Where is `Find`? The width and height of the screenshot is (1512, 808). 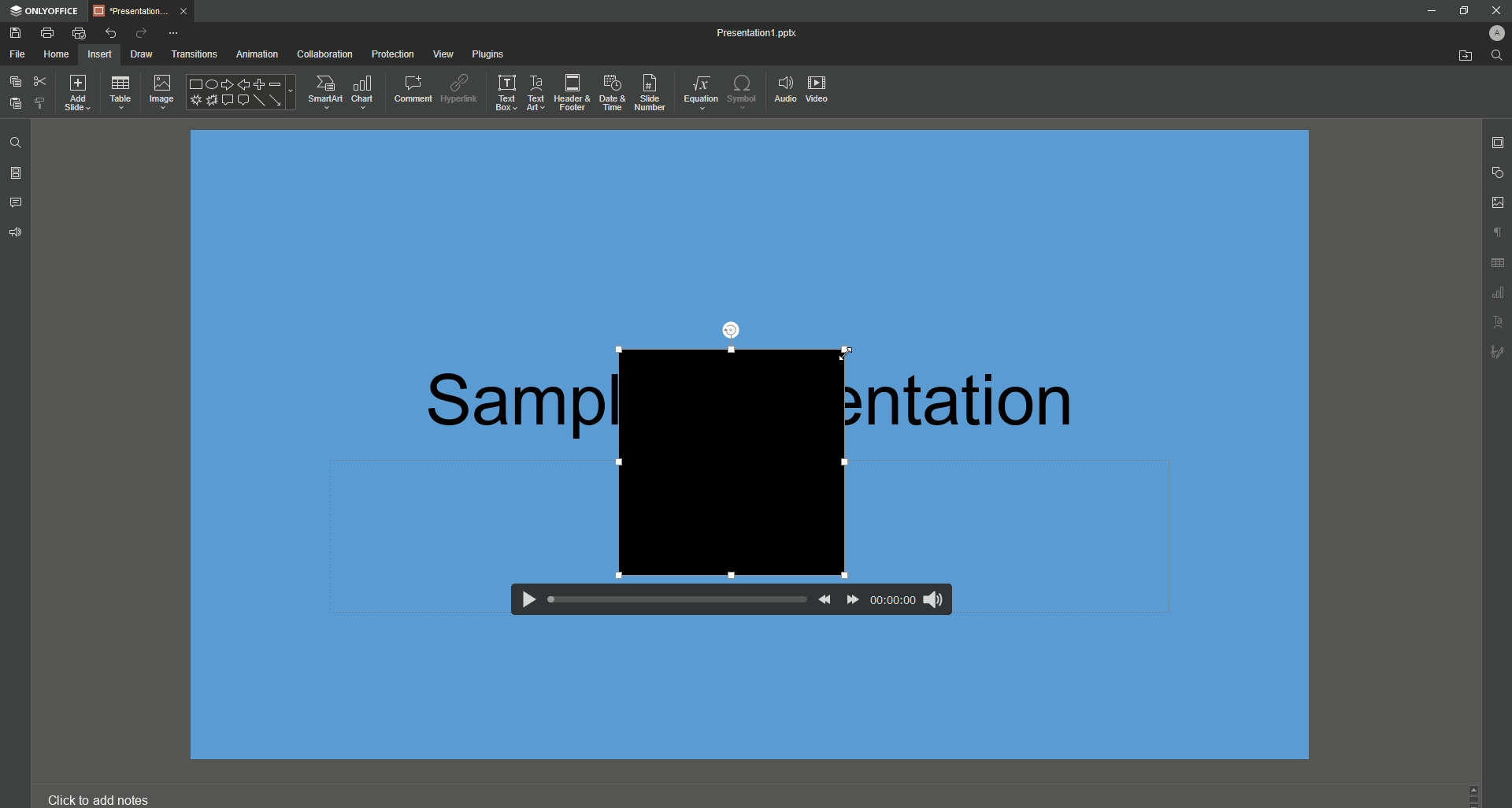 Find is located at coordinates (1495, 55).